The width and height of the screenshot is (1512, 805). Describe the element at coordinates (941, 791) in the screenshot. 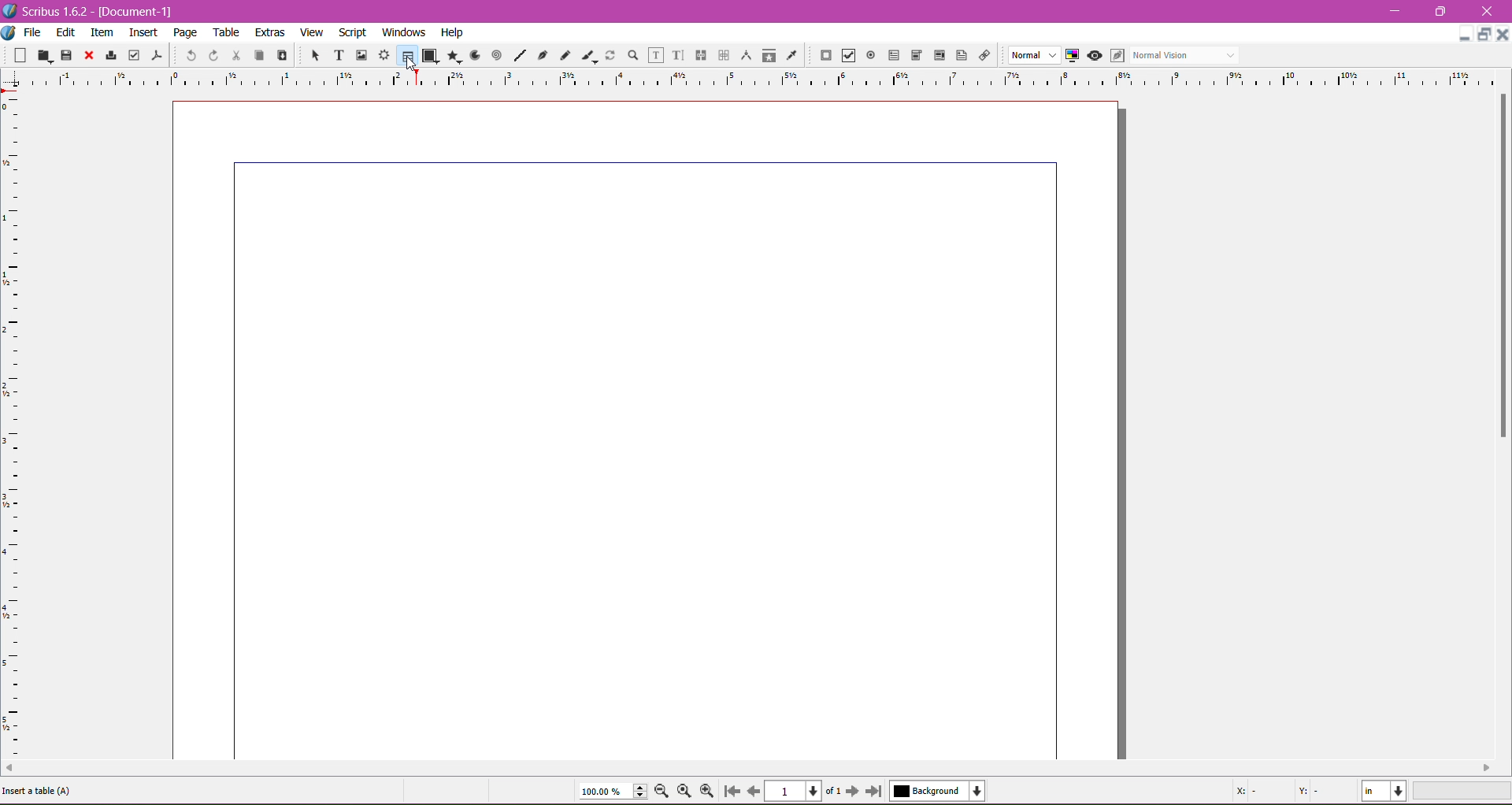

I see `Background` at that location.